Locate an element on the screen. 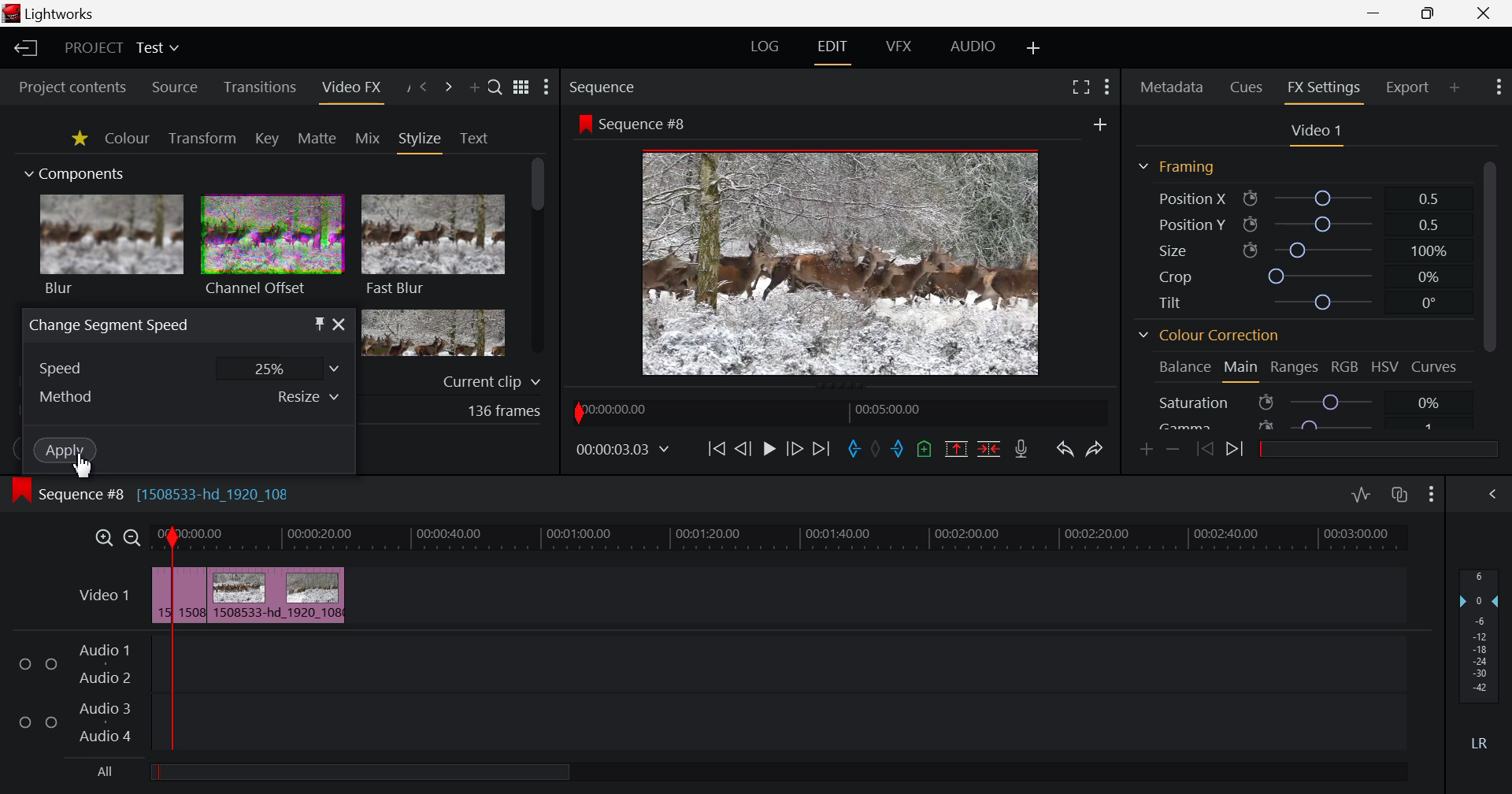  Video FX is located at coordinates (350, 88).